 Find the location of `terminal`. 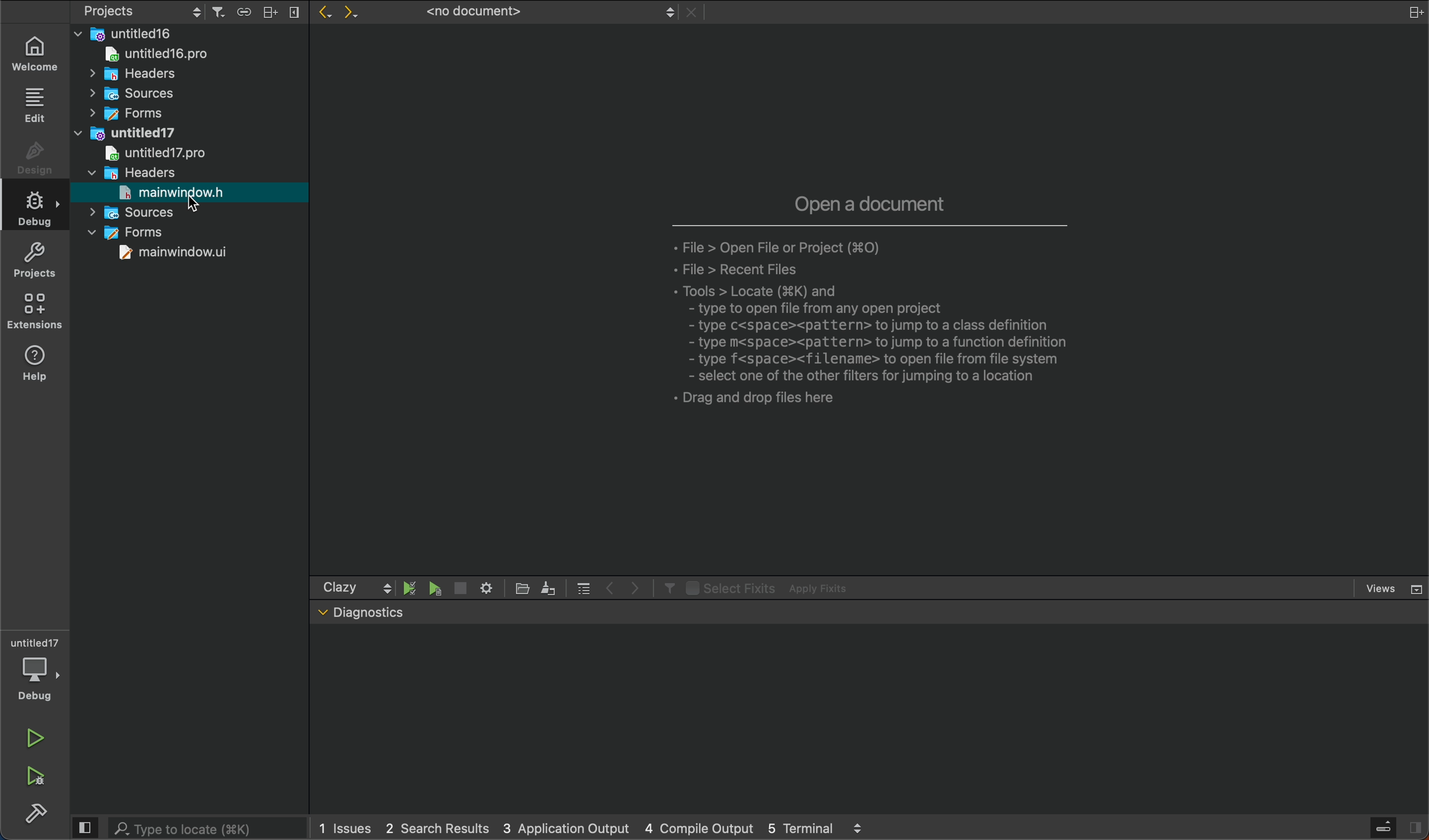

terminal is located at coordinates (869, 720).